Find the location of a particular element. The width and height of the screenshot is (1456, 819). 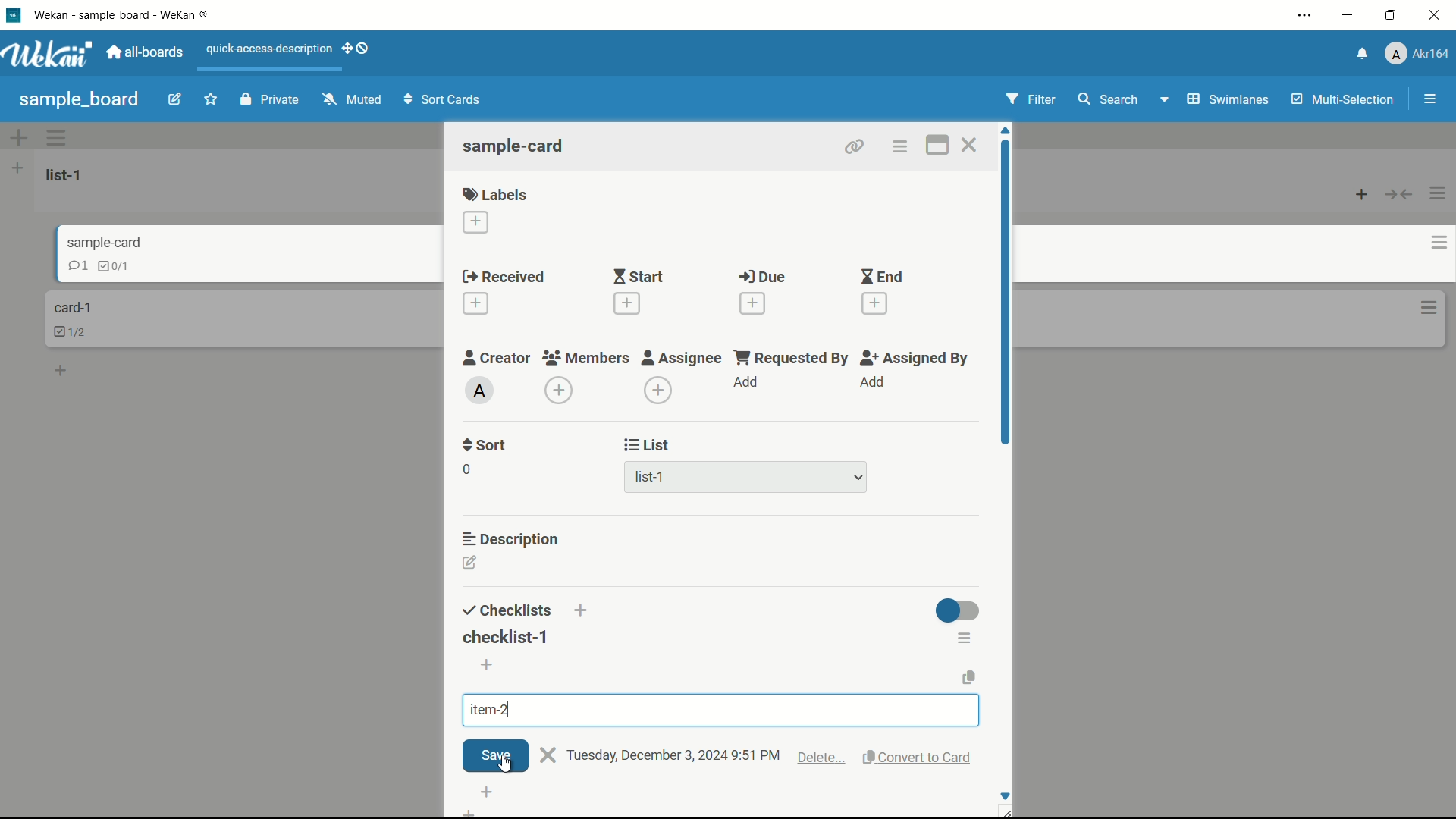

sort cards is located at coordinates (444, 99).